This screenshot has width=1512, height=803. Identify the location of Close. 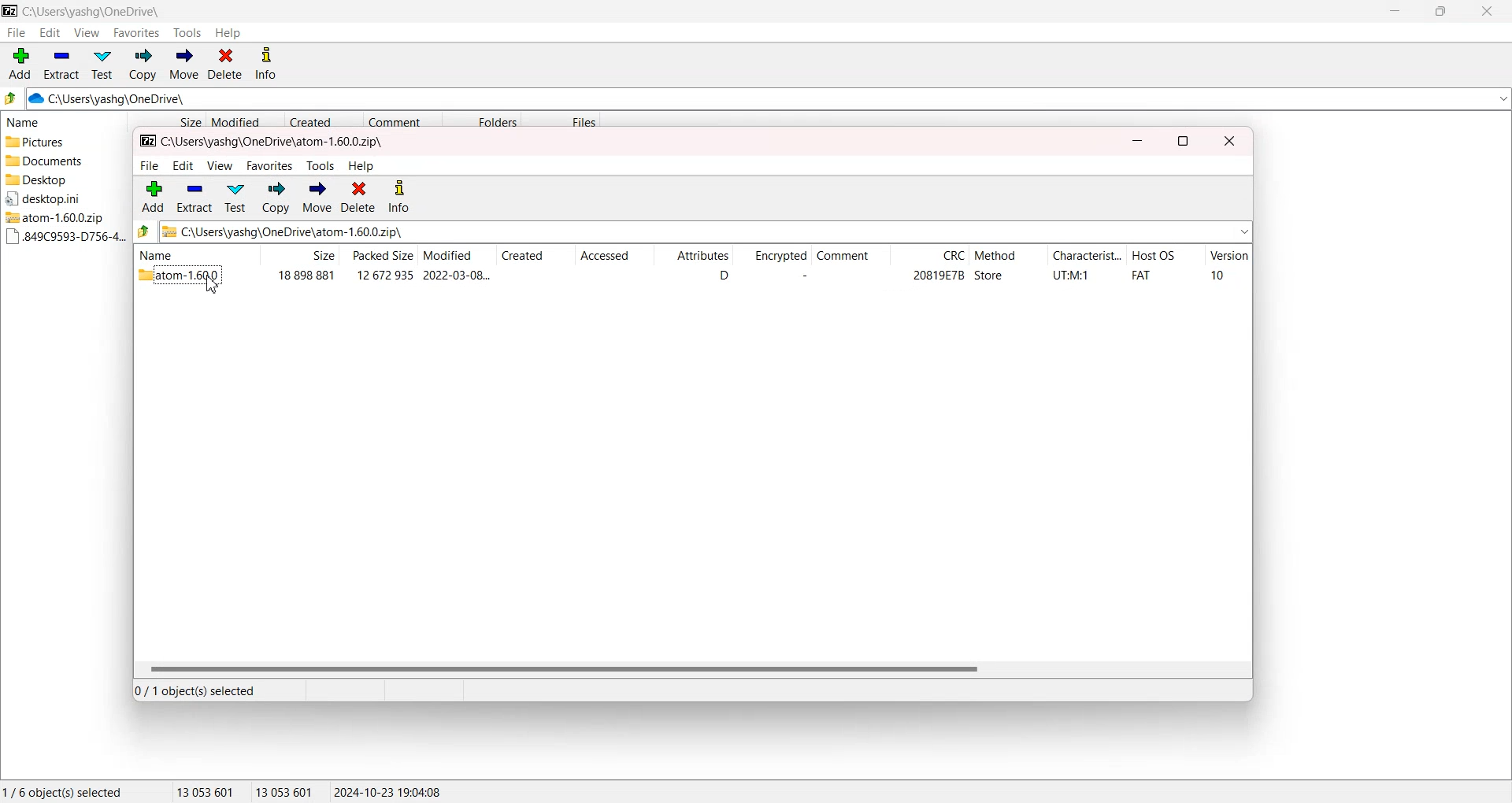
(1485, 11).